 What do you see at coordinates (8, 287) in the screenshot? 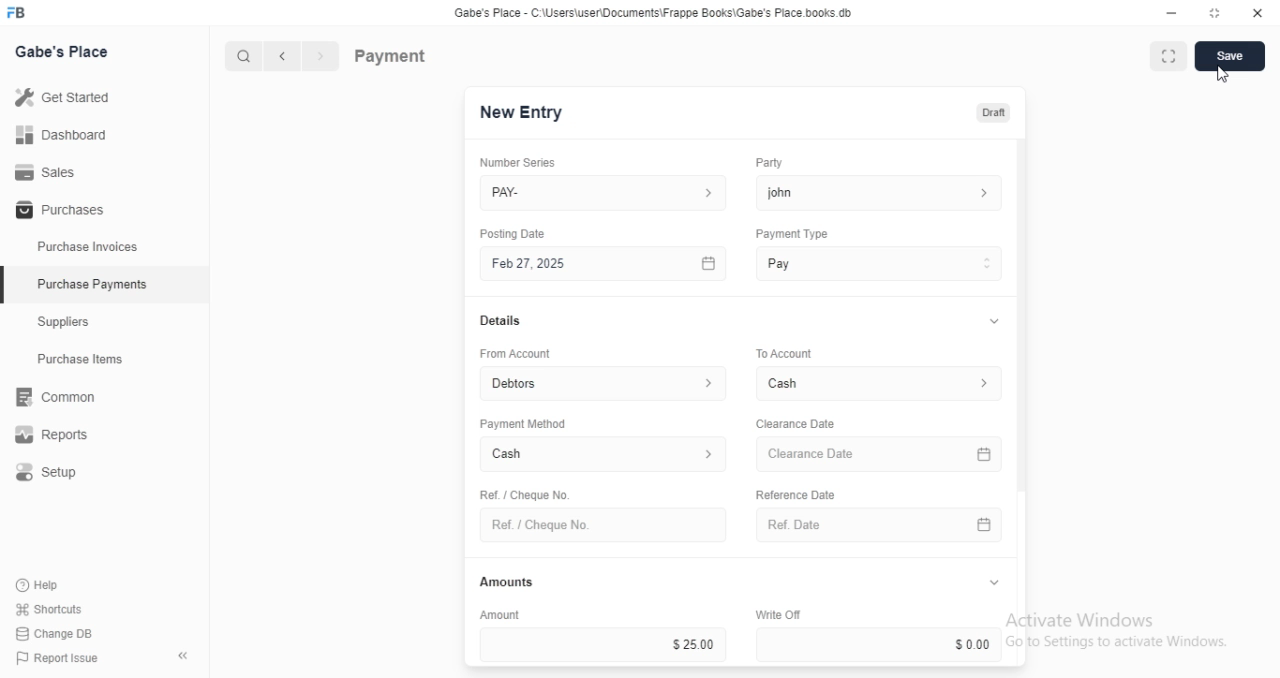
I see `selected` at bounding box center [8, 287].